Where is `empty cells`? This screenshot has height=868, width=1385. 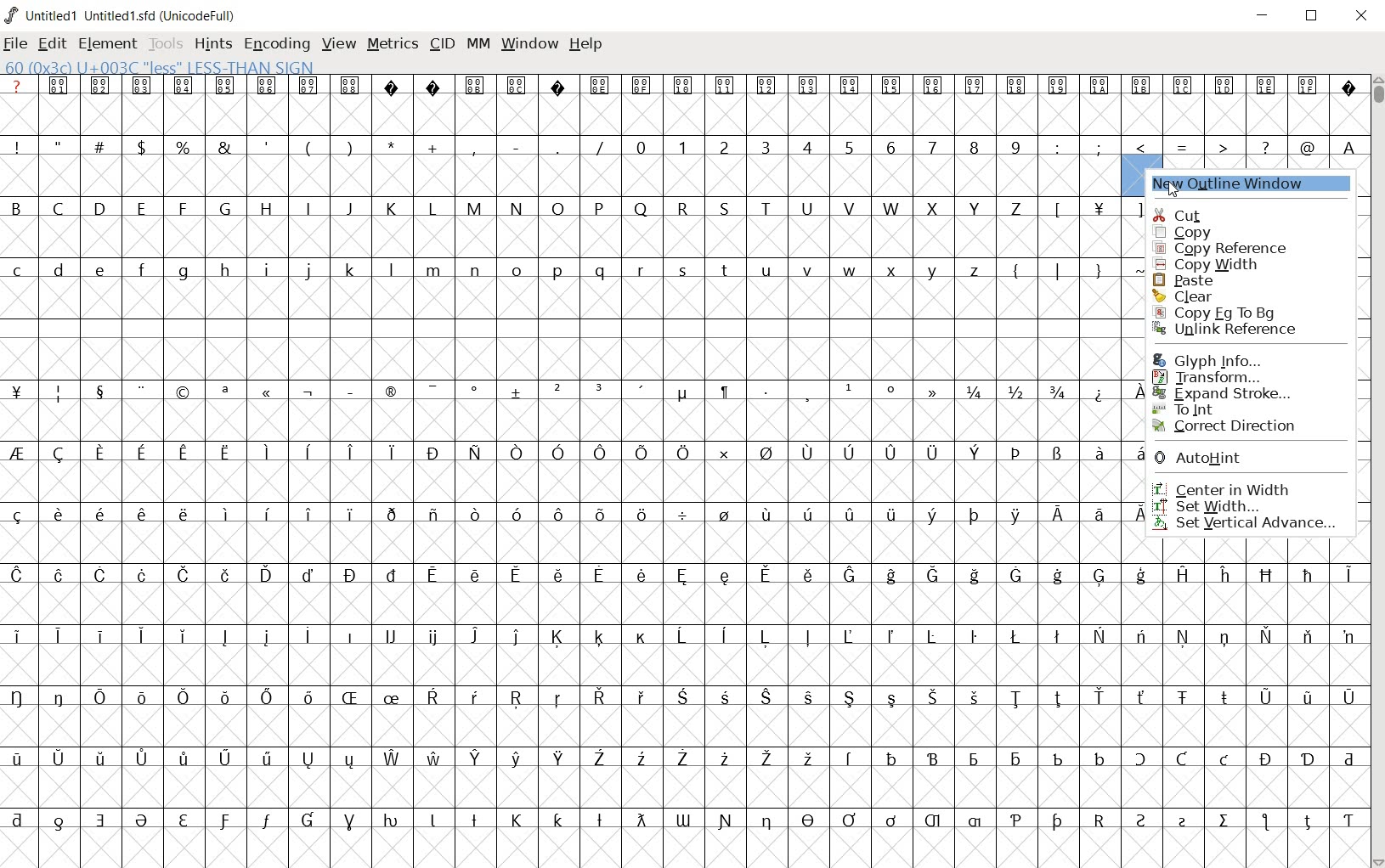 empty cells is located at coordinates (684, 666).